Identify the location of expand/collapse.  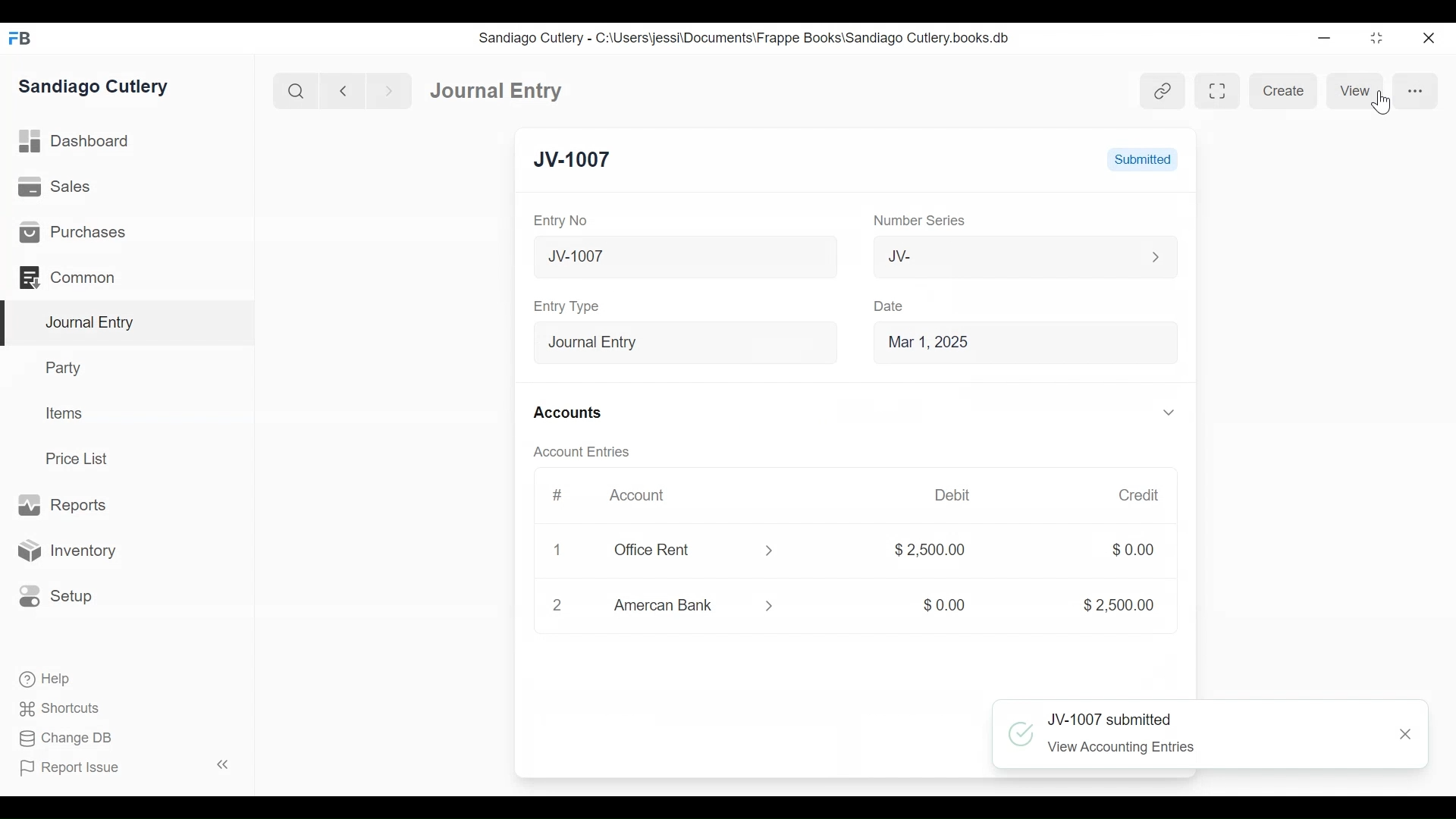
(1157, 412).